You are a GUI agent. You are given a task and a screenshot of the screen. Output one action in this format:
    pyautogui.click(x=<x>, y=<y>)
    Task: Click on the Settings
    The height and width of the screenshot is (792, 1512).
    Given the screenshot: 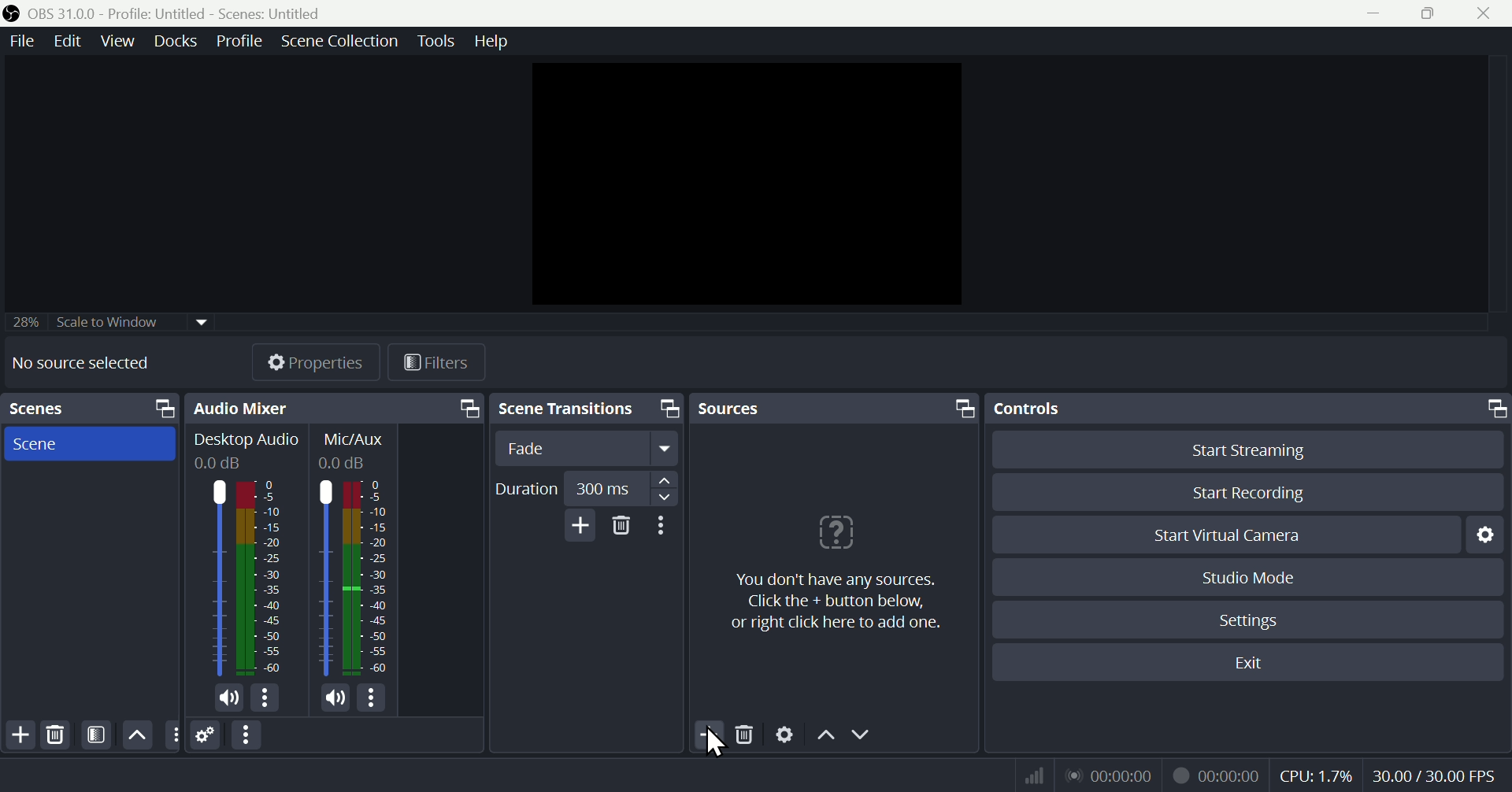 What is the action you would take?
    pyautogui.click(x=1490, y=534)
    